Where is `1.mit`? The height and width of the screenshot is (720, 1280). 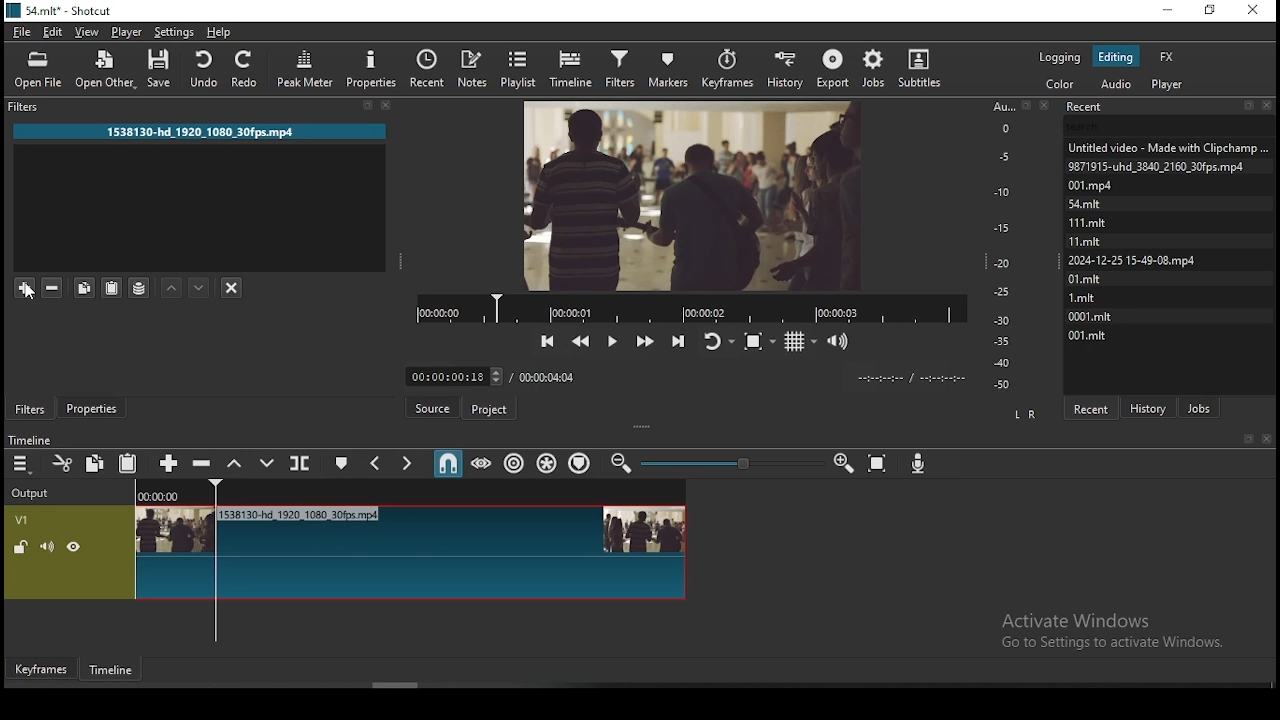 1.mit is located at coordinates (1081, 296).